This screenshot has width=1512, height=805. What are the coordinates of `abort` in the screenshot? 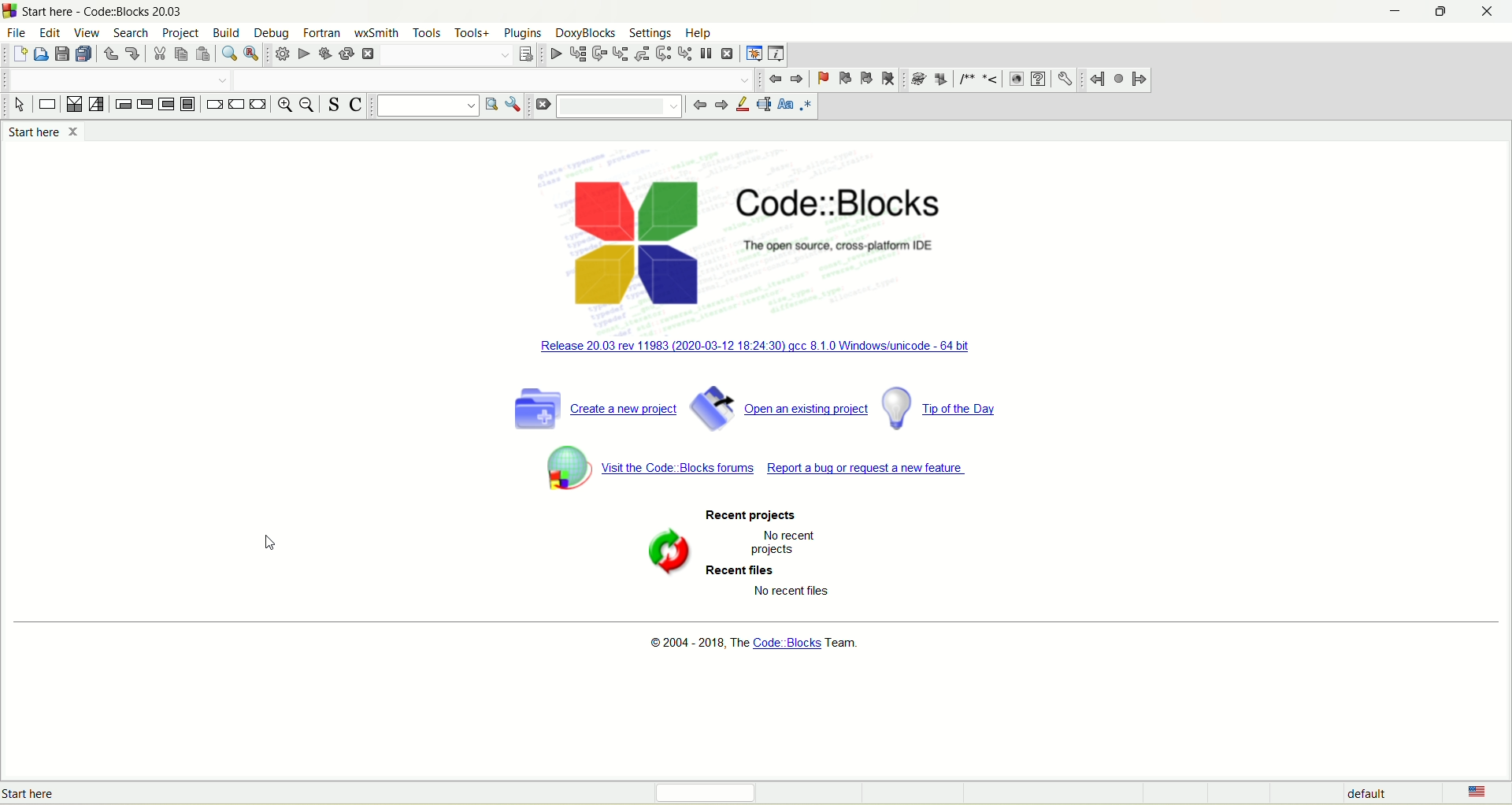 It's located at (367, 55).